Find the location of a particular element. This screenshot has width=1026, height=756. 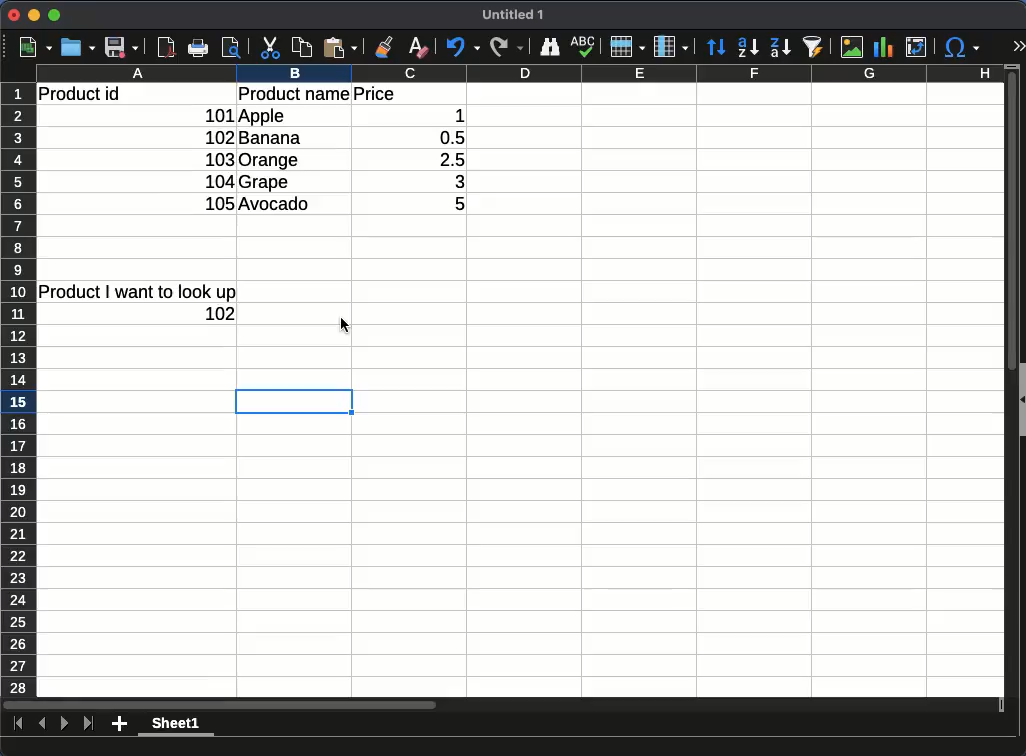

grape is located at coordinates (265, 183).